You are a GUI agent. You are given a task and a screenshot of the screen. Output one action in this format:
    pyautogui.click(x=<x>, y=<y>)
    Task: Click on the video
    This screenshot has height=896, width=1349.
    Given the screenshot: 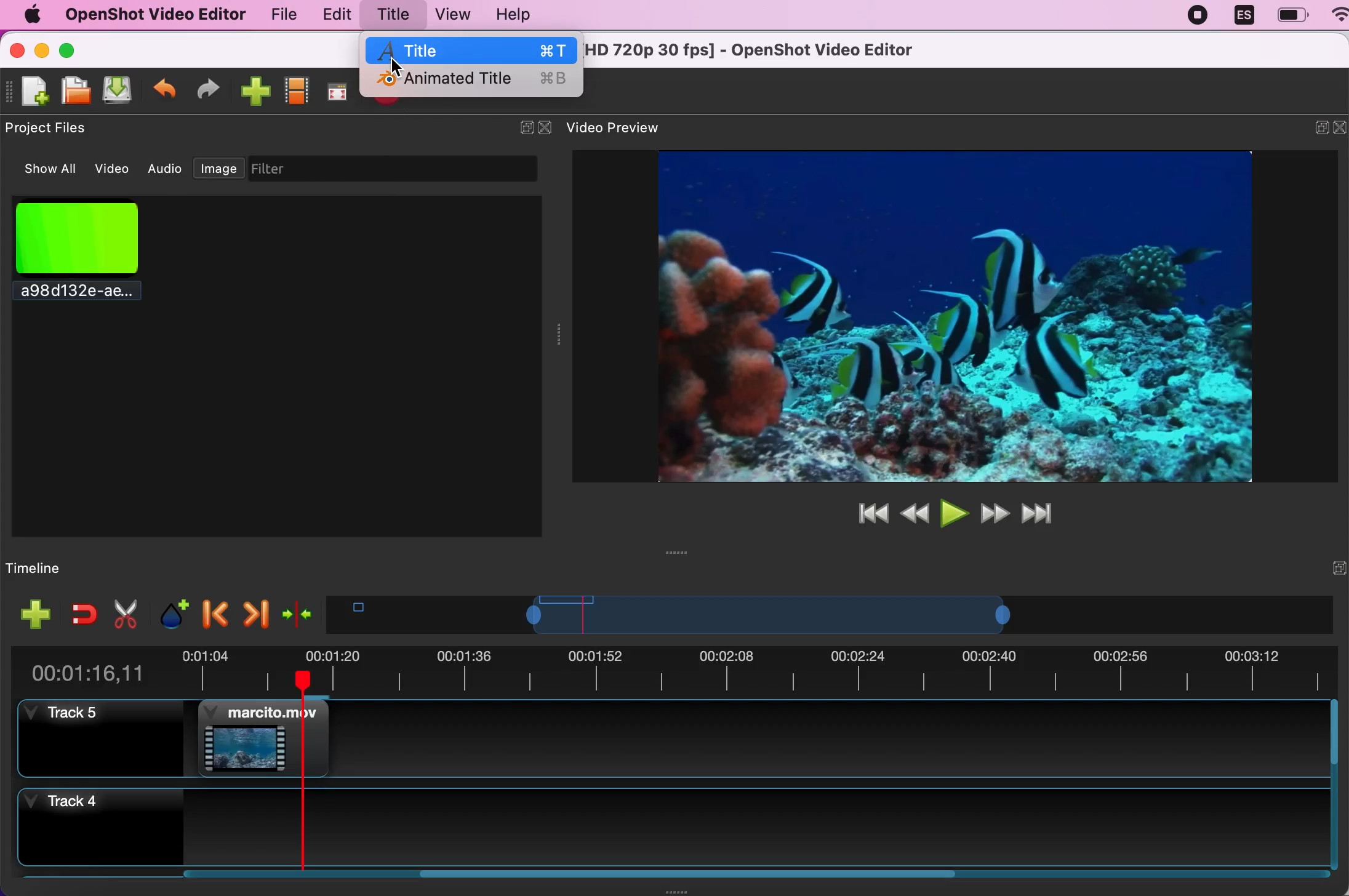 What is the action you would take?
    pyautogui.click(x=114, y=167)
    